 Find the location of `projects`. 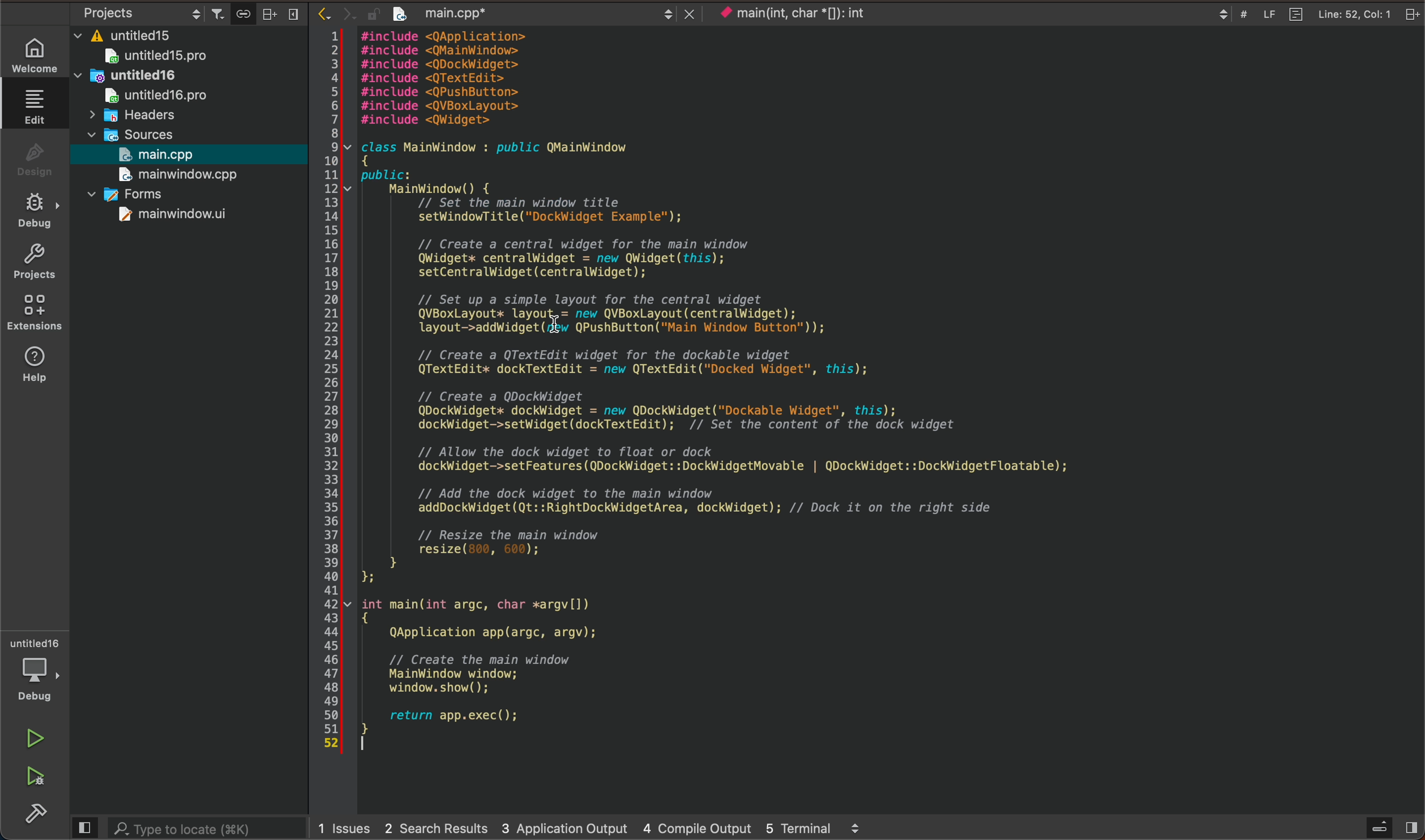

projects is located at coordinates (35, 259).